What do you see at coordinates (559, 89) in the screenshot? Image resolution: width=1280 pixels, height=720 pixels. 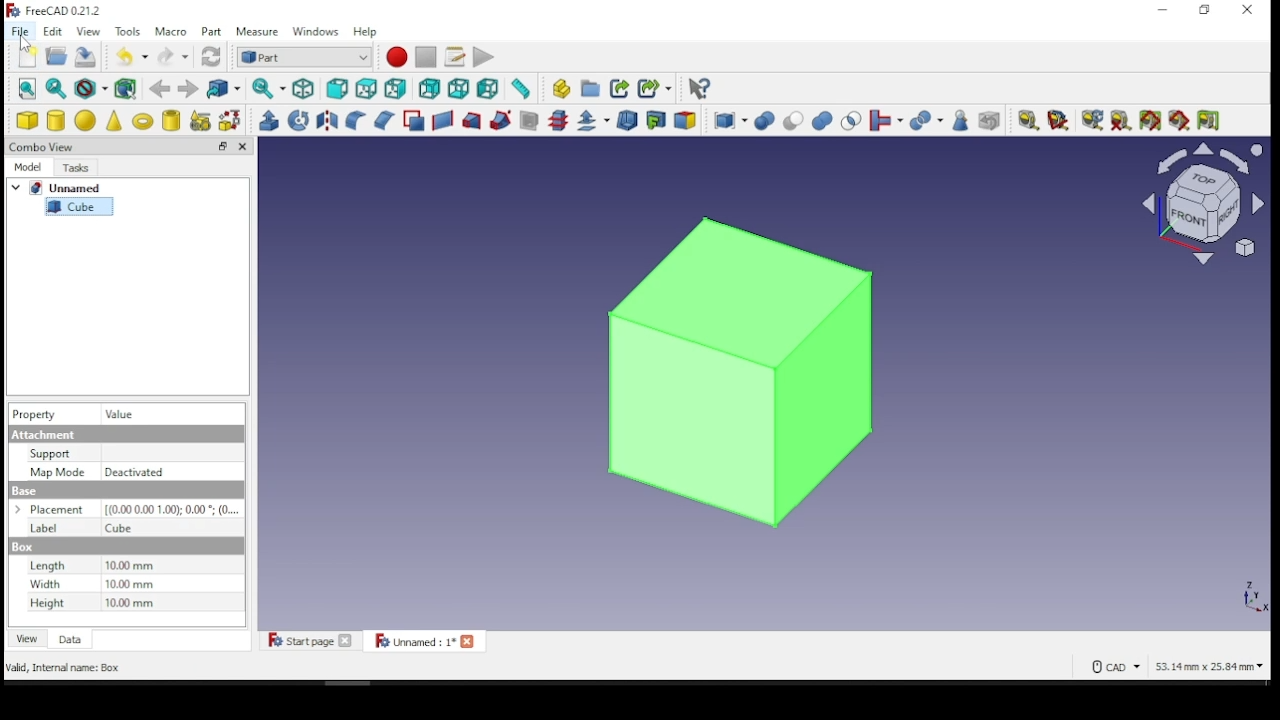 I see `create part` at bounding box center [559, 89].